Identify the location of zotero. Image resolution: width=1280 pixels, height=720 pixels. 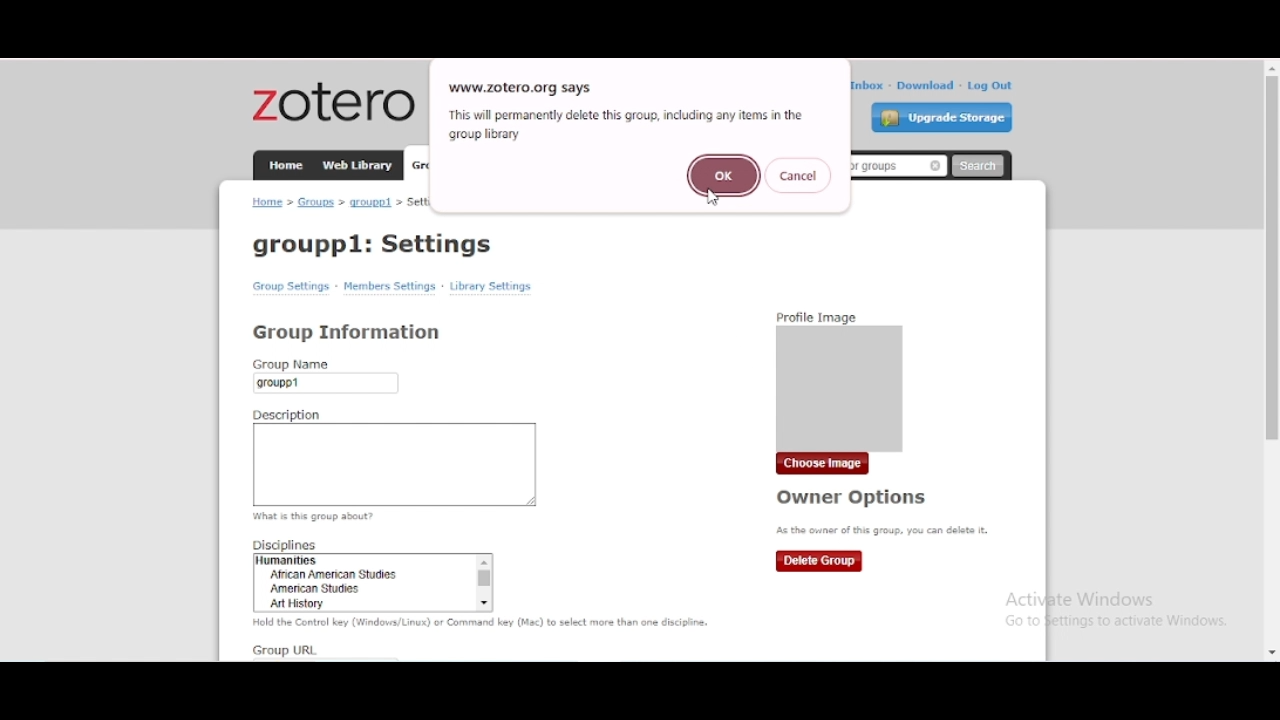
(335, 101).